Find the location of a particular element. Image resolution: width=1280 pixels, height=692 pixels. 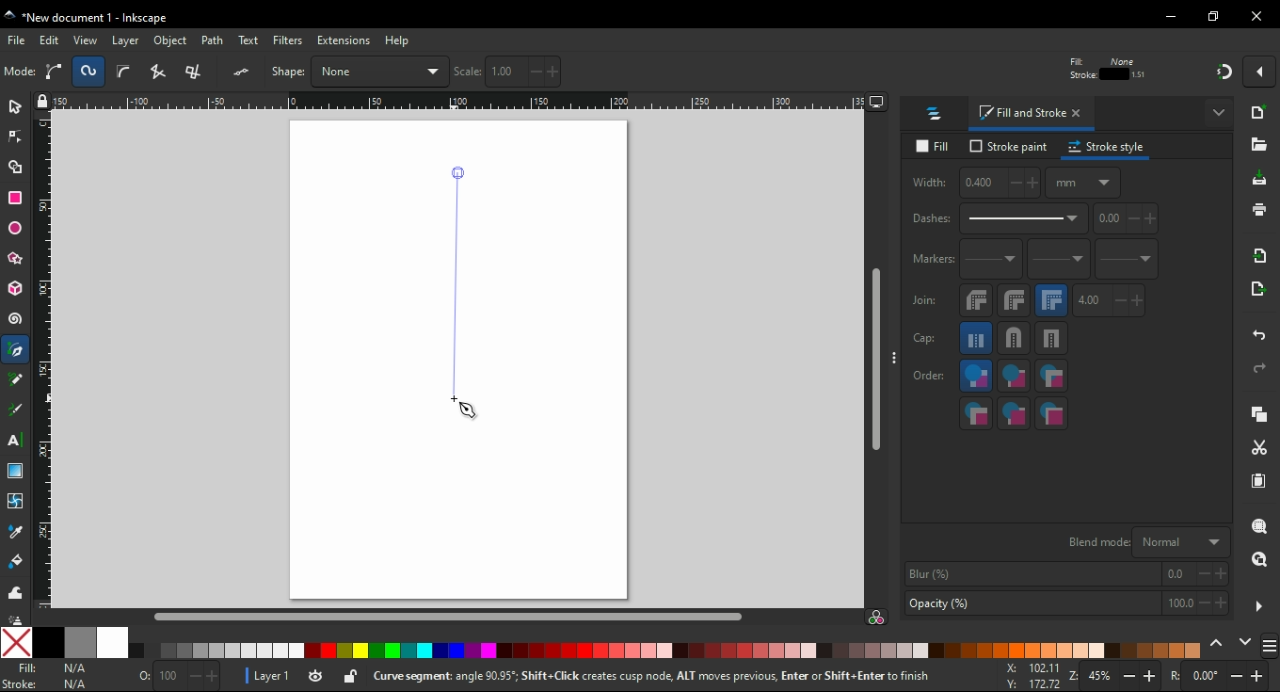

minimize is located at coordinates (1172, 17).